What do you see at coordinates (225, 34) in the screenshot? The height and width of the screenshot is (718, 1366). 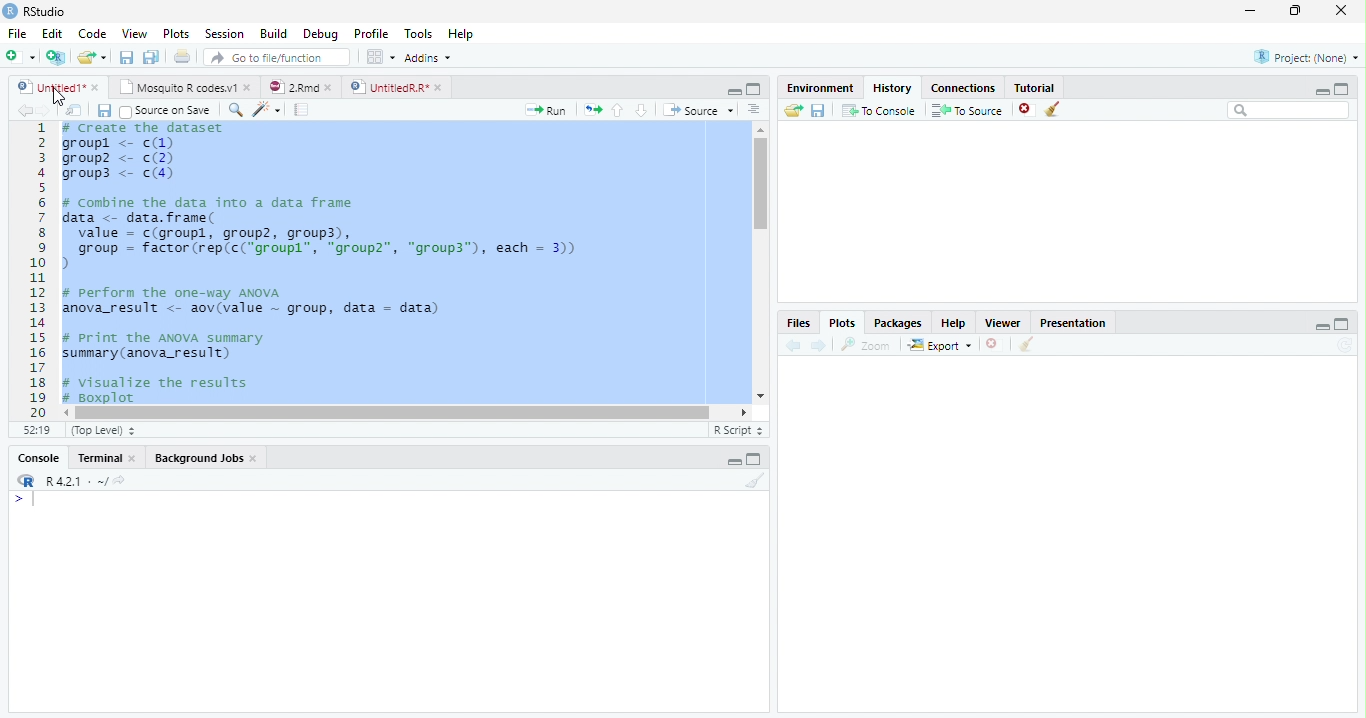 I see `Session` at bounding box center [225, 34].